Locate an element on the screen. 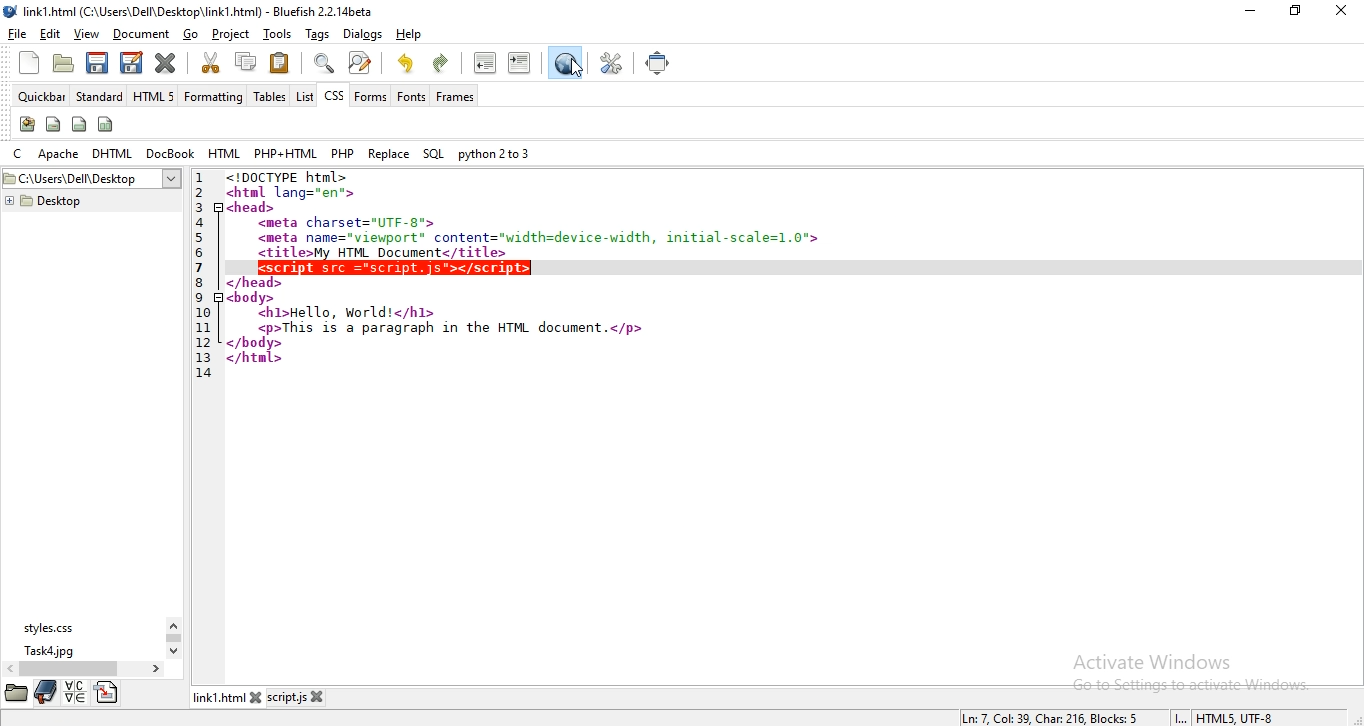 The height and width of the screenshot is (726, 1364). desktop is located at coordinates (93, 179).